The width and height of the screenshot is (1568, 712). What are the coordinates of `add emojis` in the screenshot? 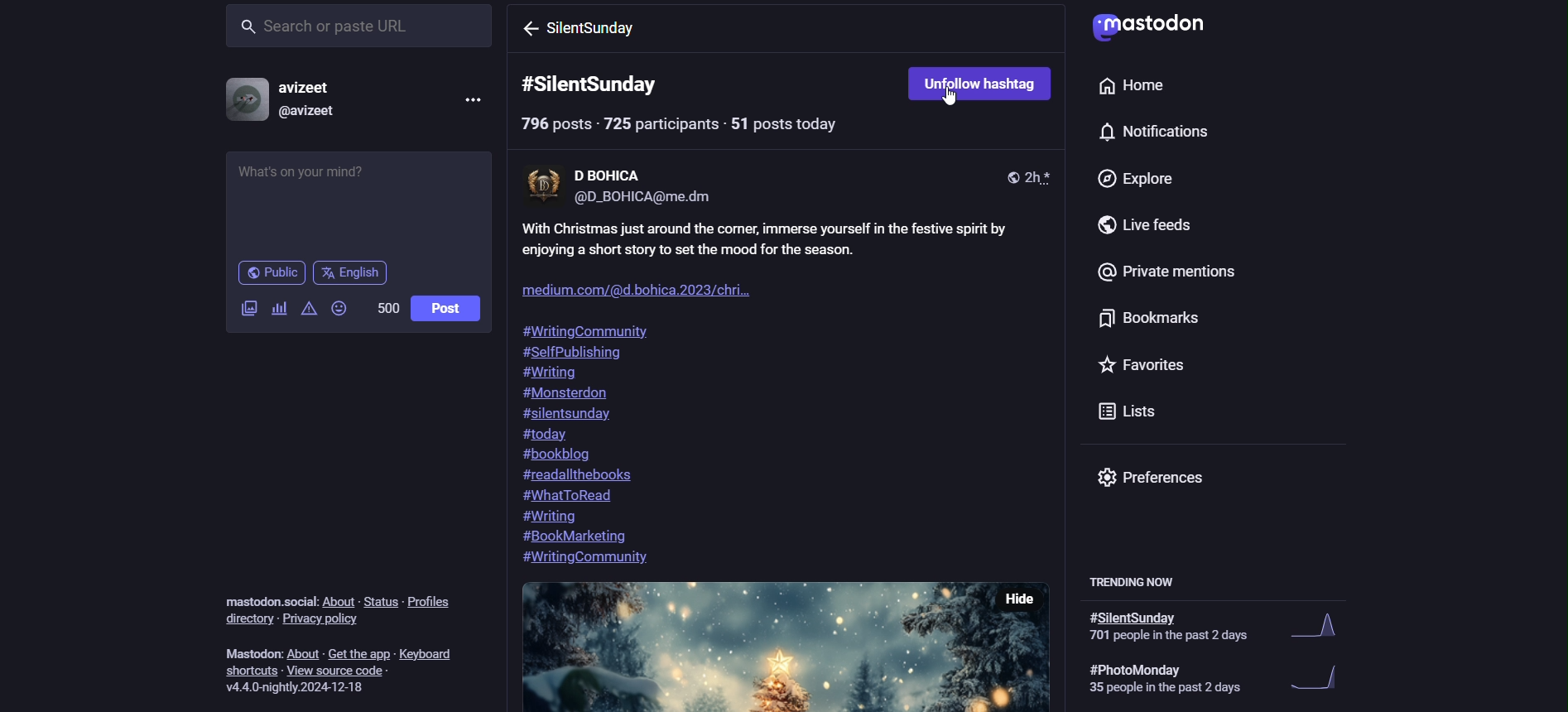 It's located at (339, 309).